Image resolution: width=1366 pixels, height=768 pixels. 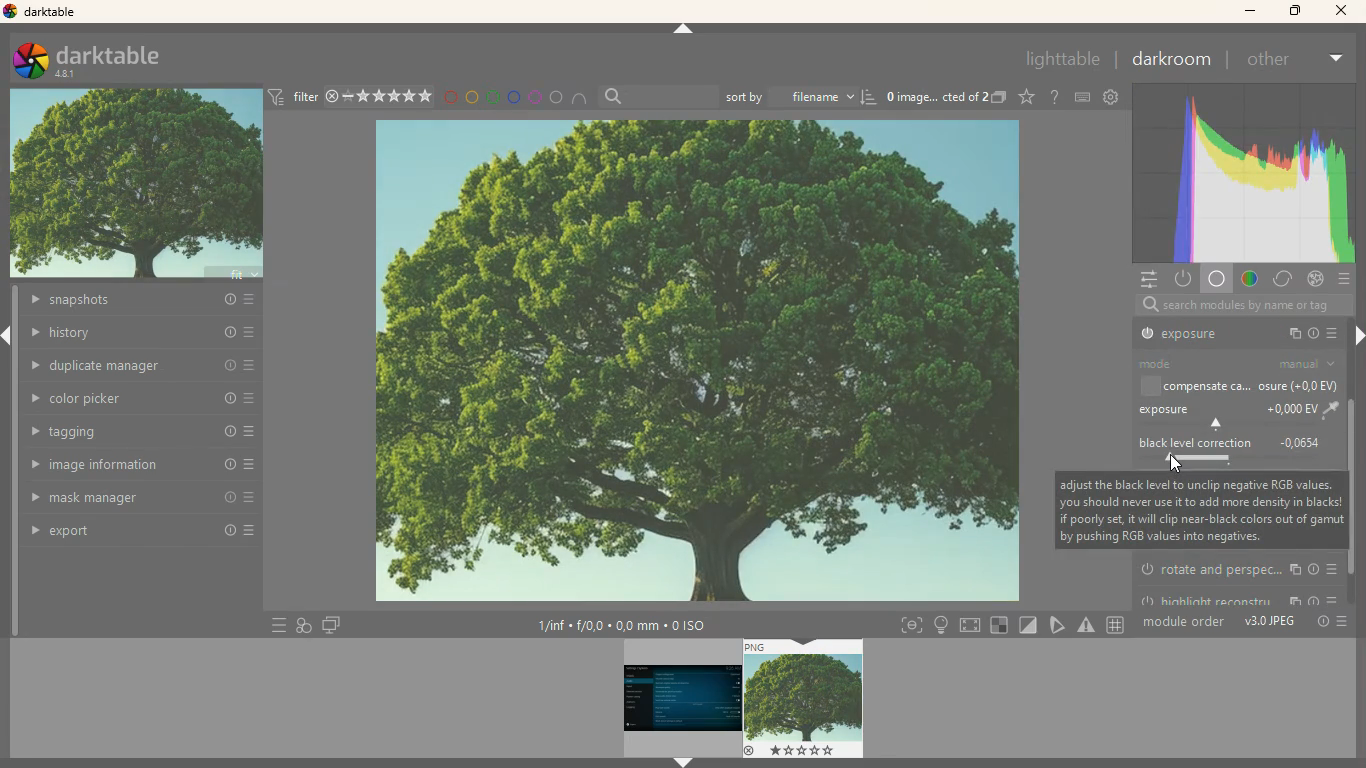 I want to click on mode, so click(x=1178, y=363).